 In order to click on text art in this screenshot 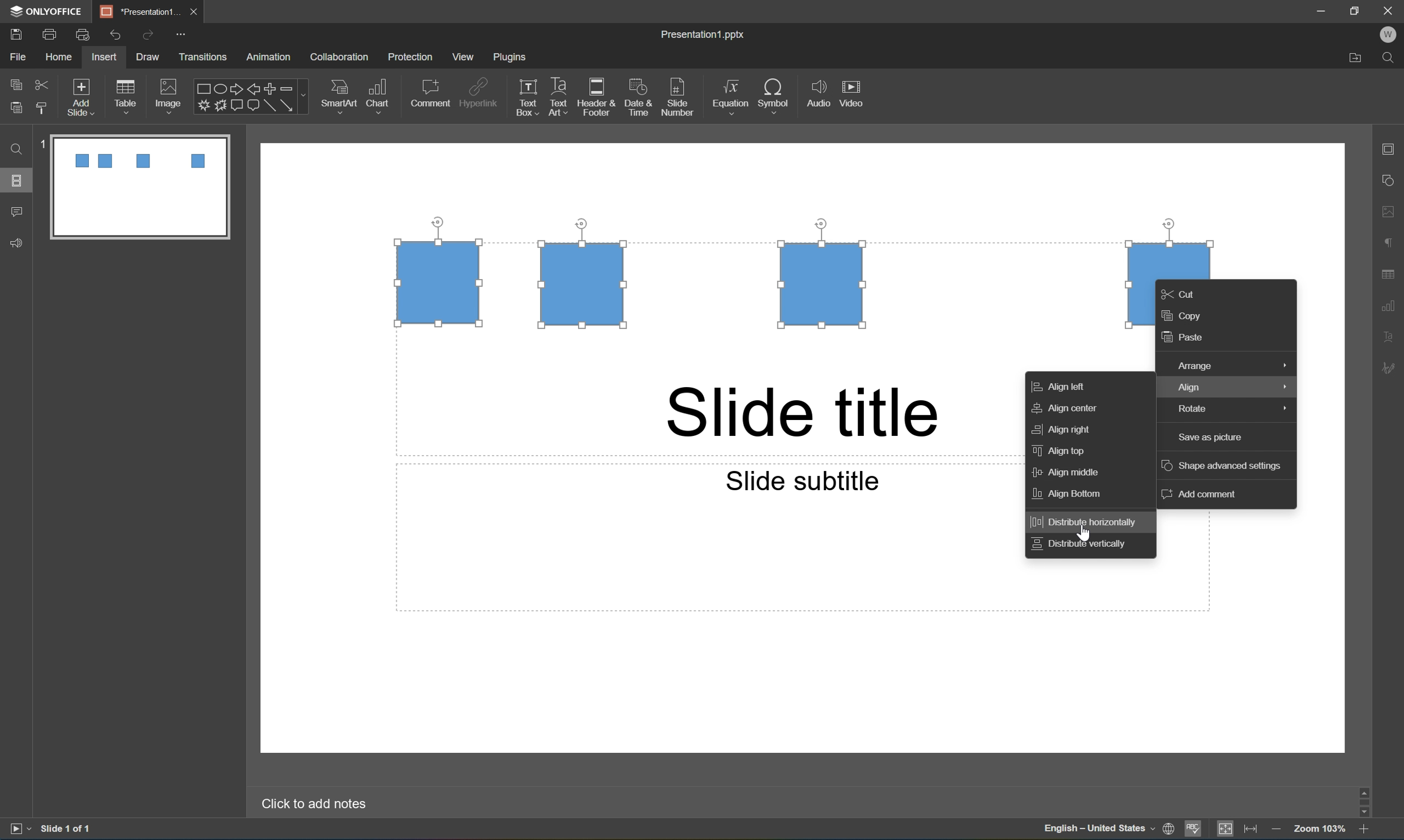, I will do `click(555, 98)`.